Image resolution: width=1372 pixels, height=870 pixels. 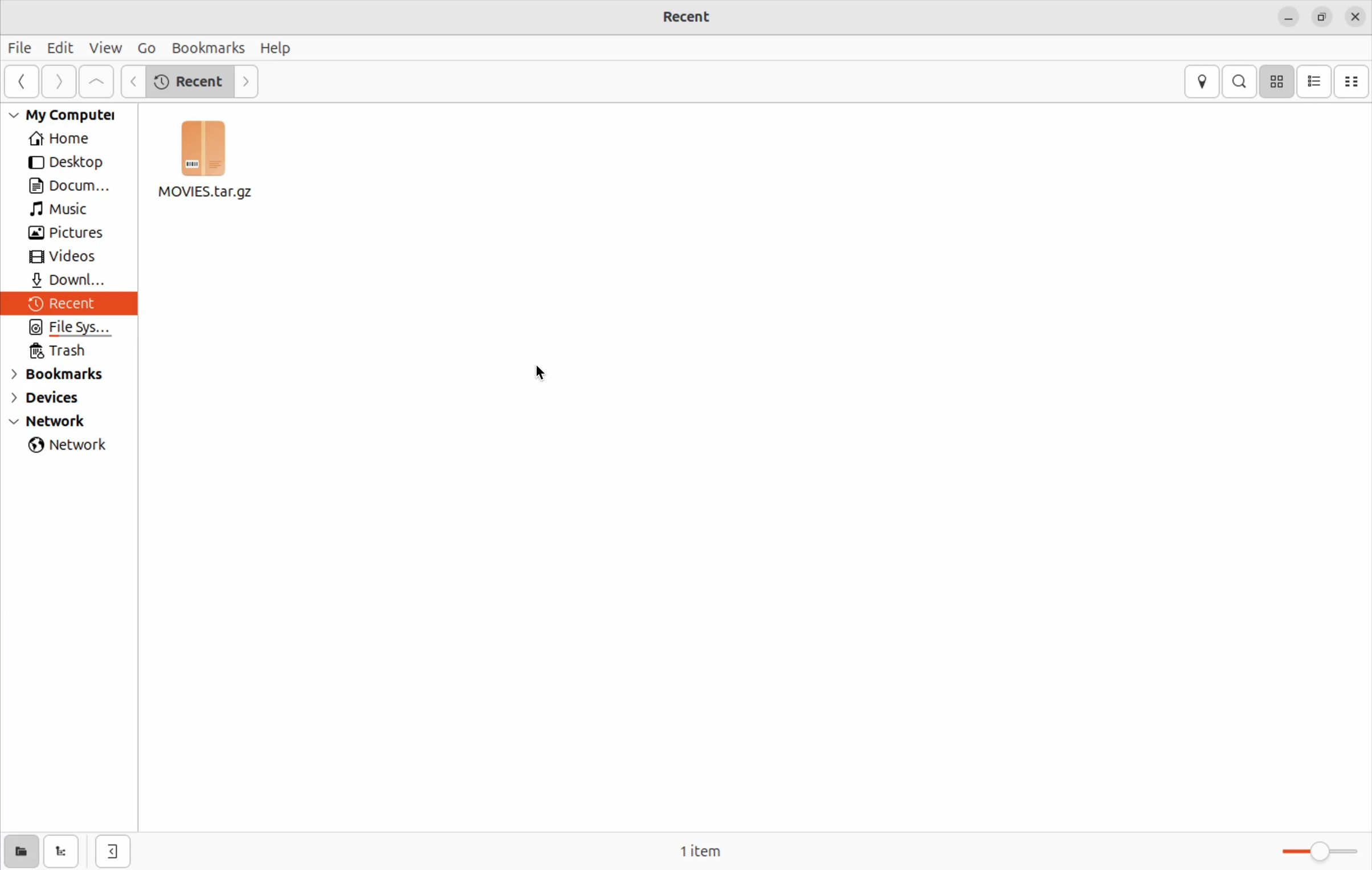 I want to click on bookmarks, so click(x=206, y=48).